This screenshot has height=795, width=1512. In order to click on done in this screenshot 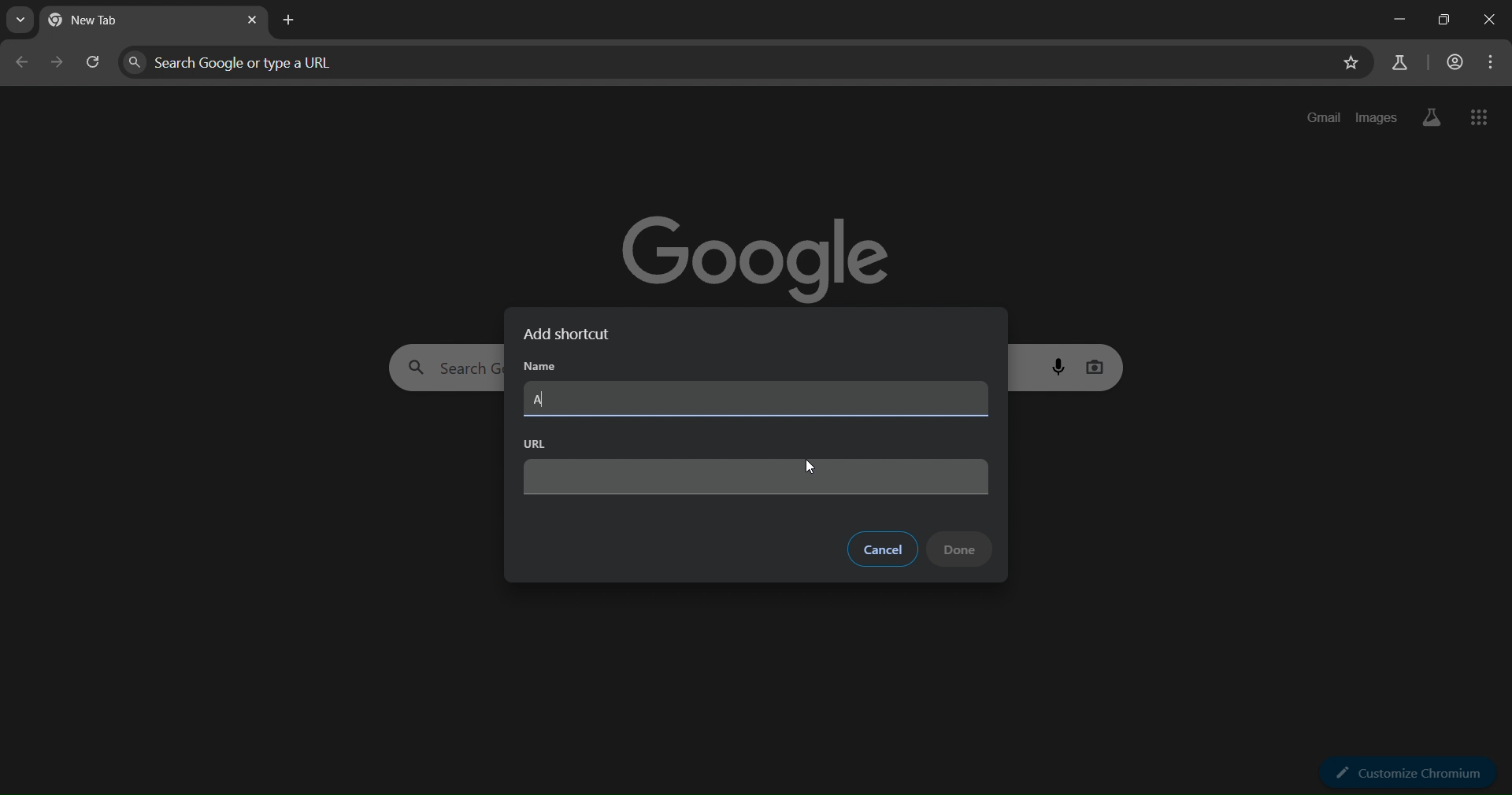, I will do `click(961, 549)`.